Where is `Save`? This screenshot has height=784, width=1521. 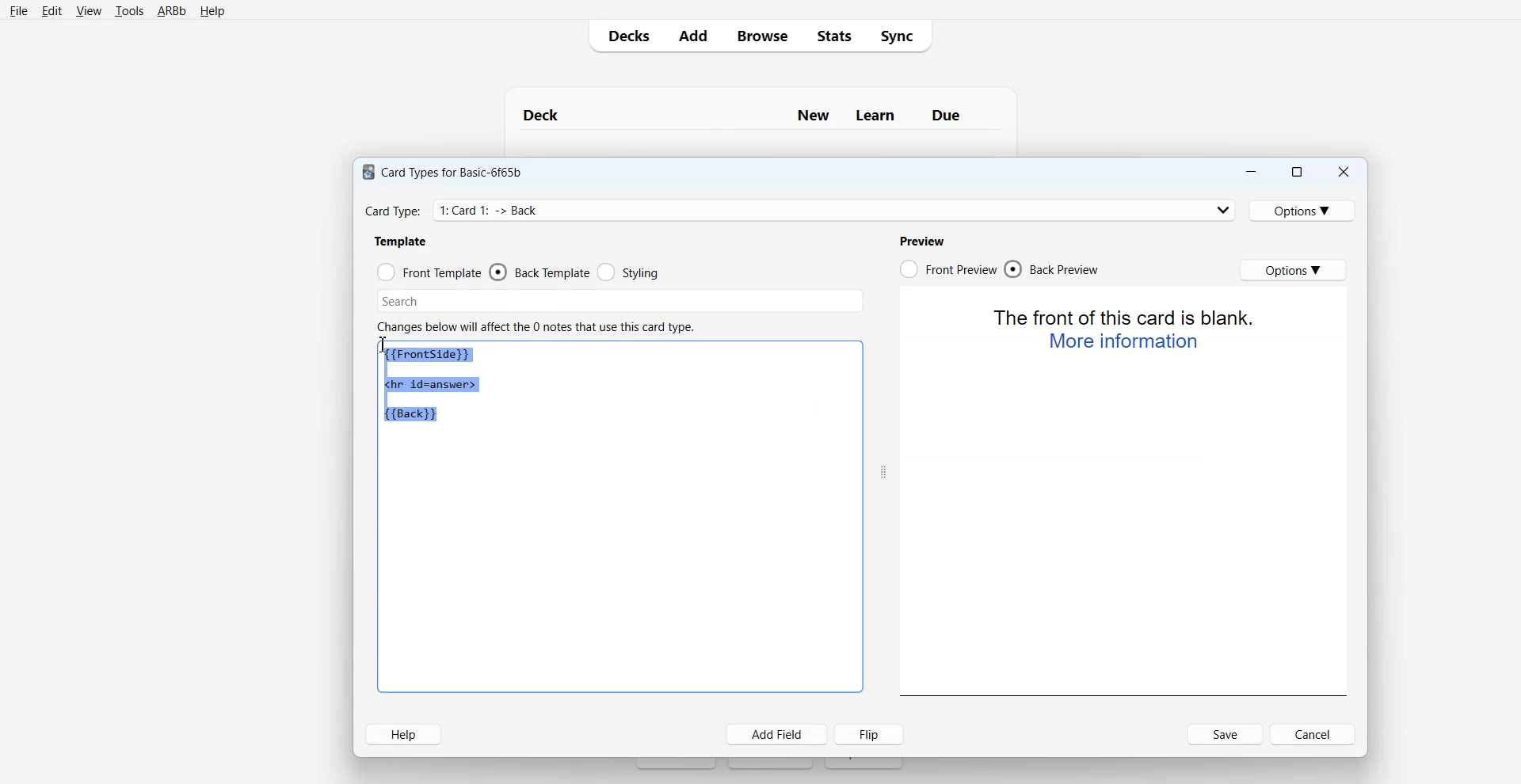 Save is located at coordinates (1225, 734).